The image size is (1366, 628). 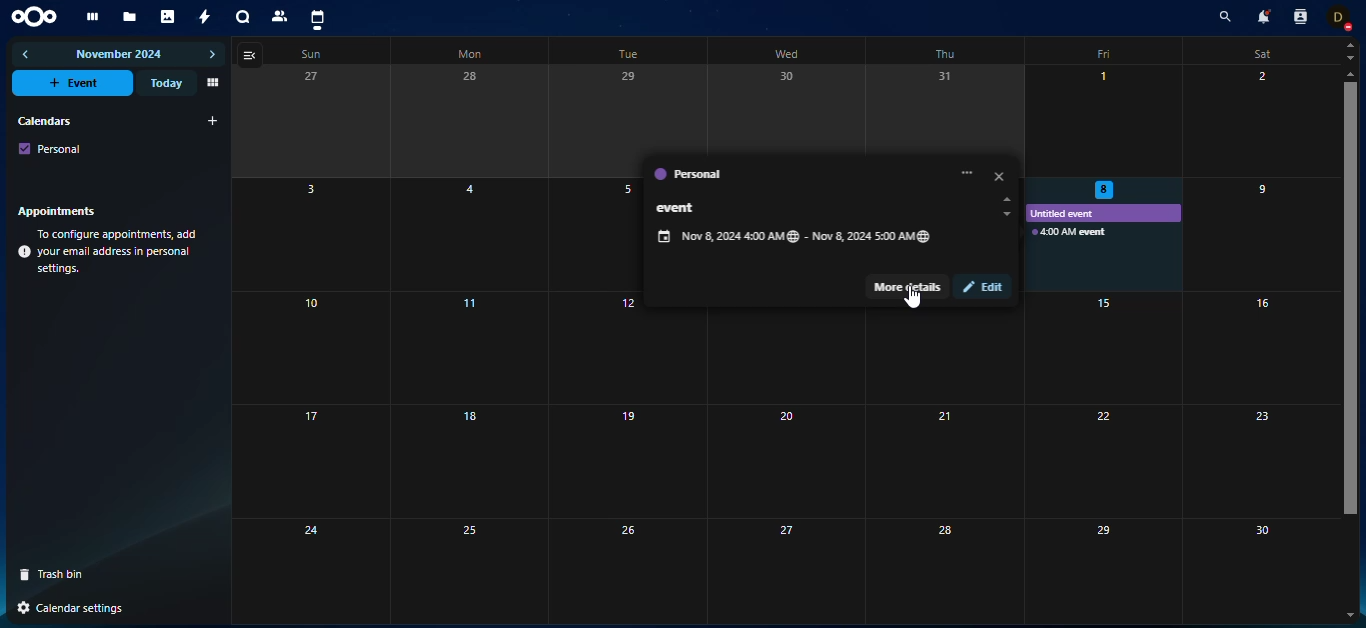 What do you see at coordinates (169, 17) in the screenshot?
I see `photos` at bounding box center [169, 17].